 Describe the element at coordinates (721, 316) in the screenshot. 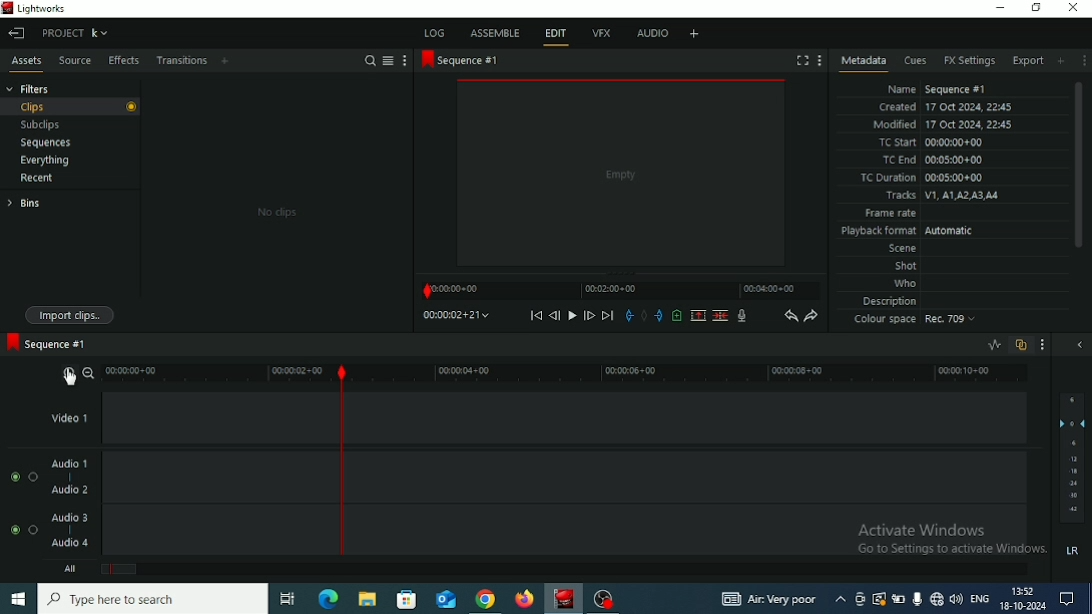

I see `Delete/cut` at that location.